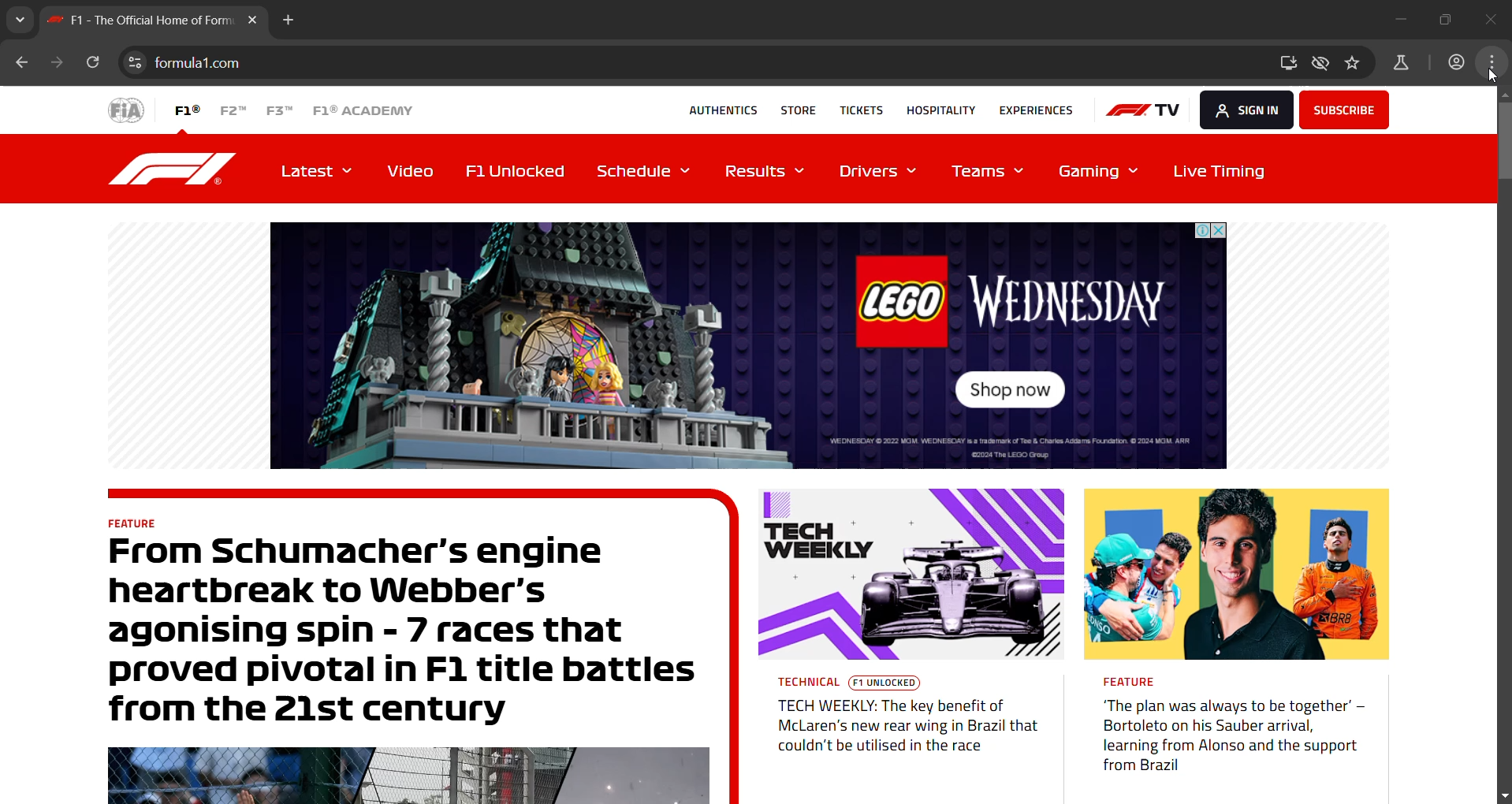 This screenshot has height=804, width=1512. Describe the element at coordinates (123, 110) in the screenshot. I see `FiA logo` at that location.